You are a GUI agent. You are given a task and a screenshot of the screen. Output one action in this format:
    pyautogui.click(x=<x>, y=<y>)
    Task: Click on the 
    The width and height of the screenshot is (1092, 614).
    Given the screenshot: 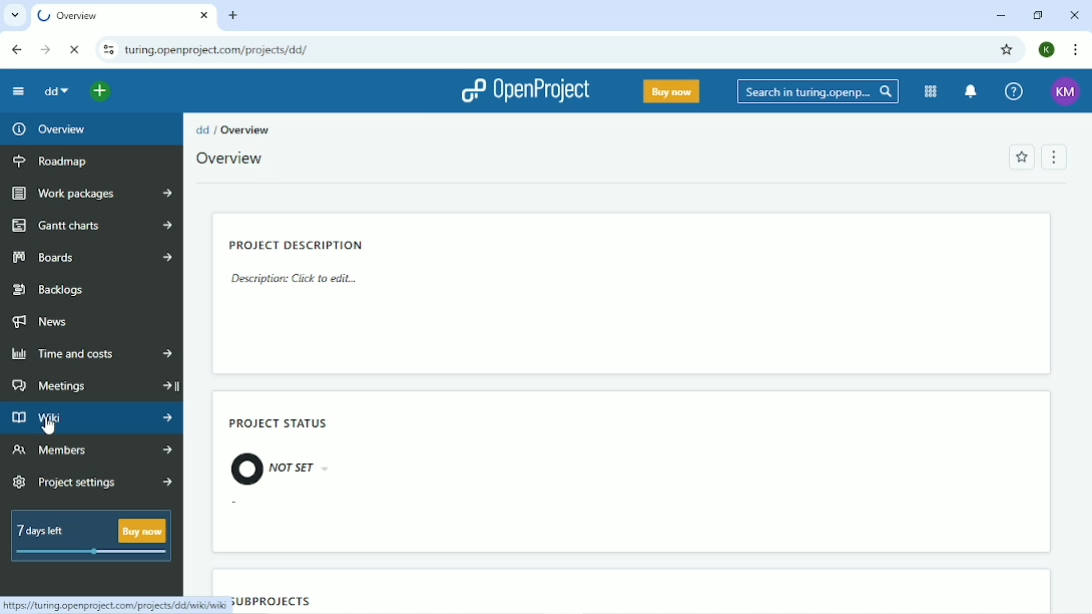 What is the action you would take?
    pyautogui.click(x=171, y=416)
    